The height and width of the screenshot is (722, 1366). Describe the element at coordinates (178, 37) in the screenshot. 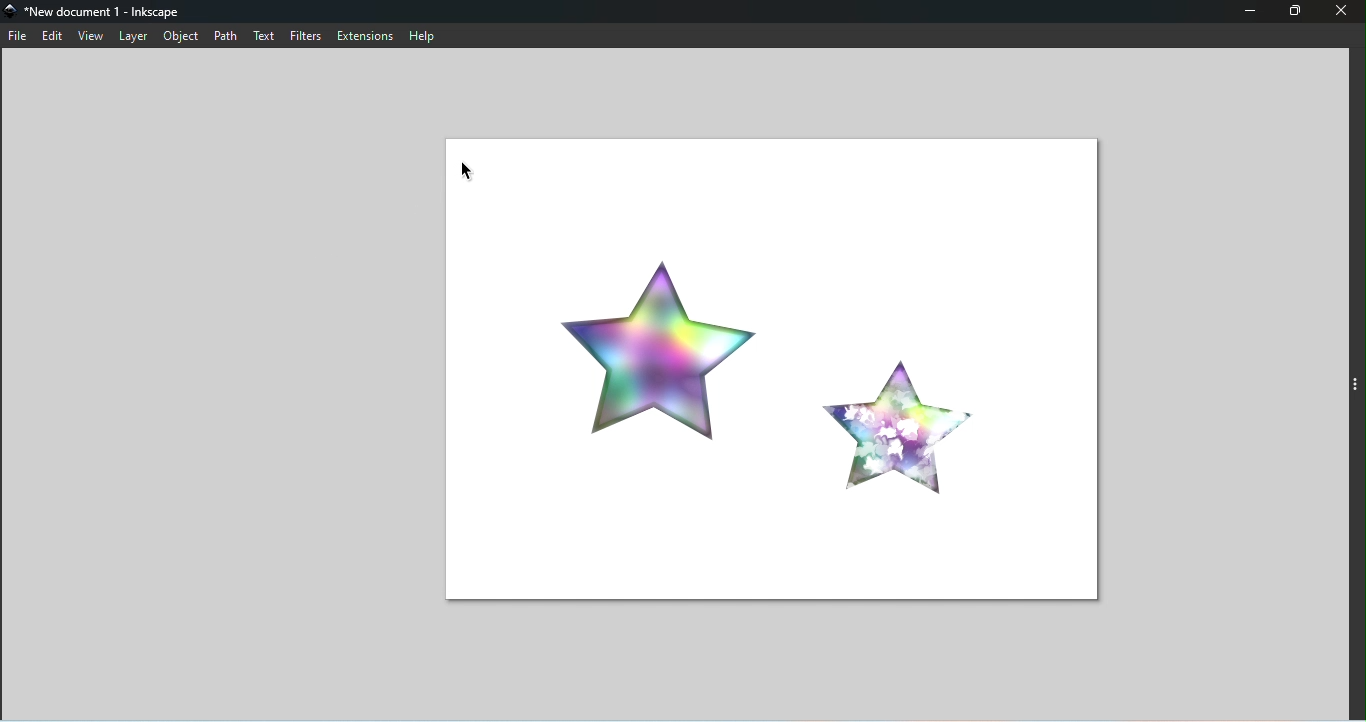

I see `Object` at that location.